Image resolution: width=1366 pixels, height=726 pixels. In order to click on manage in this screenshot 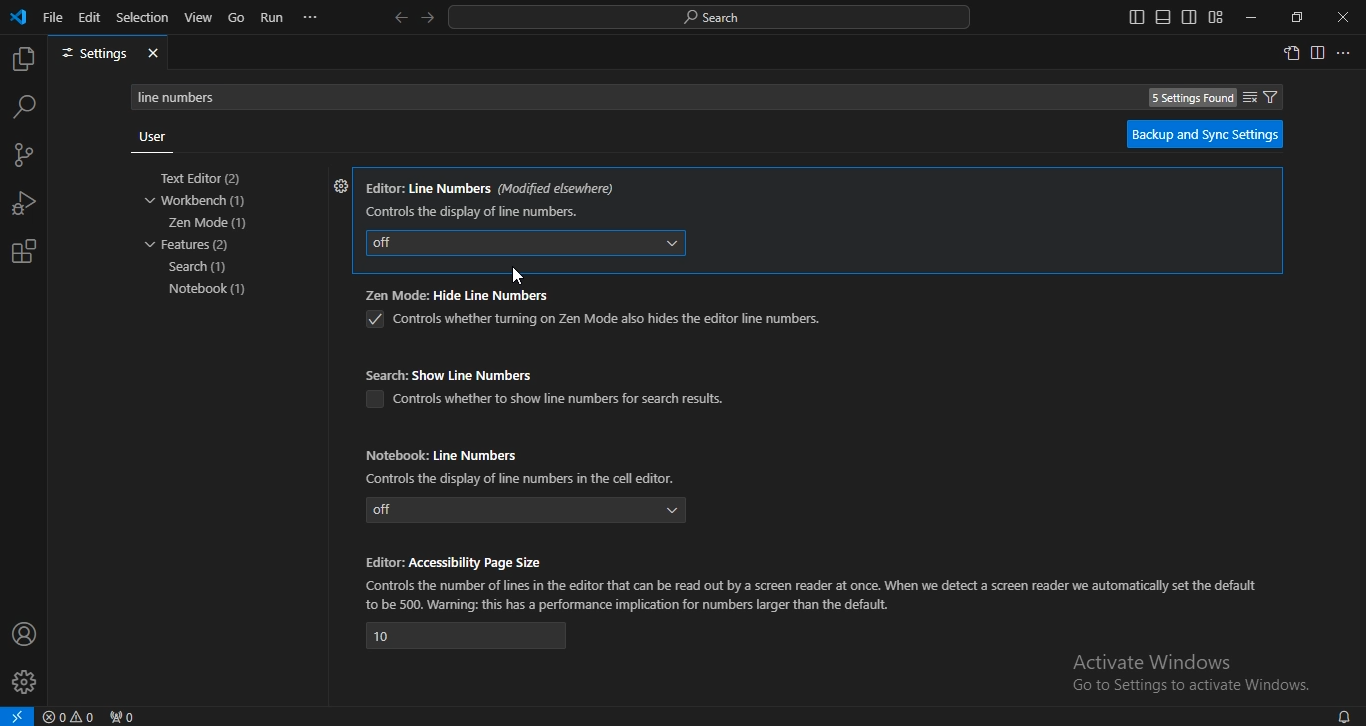, I will do `click(26, 684)`.